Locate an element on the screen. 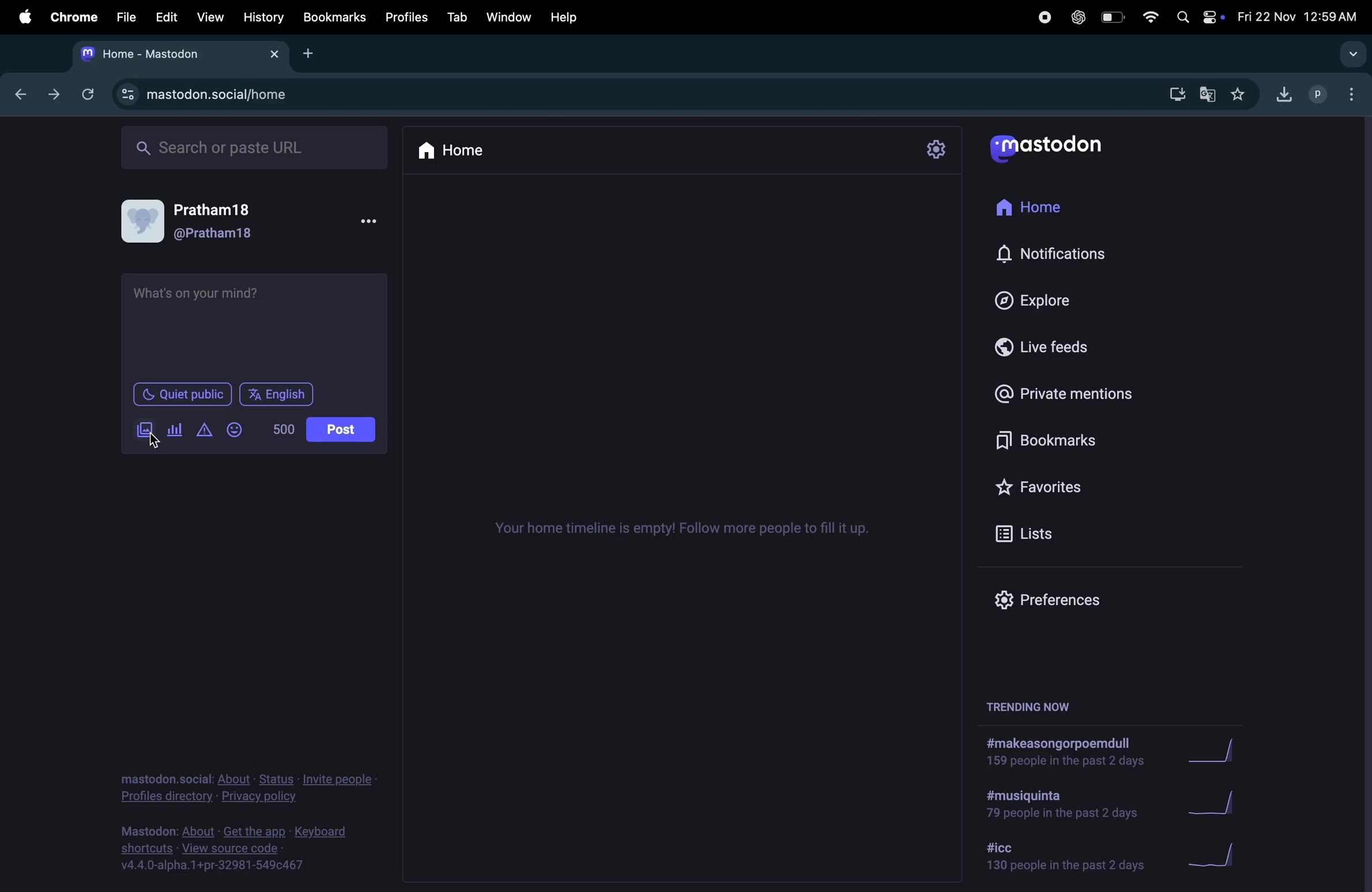  profile is located at coordinates (1312, 95).